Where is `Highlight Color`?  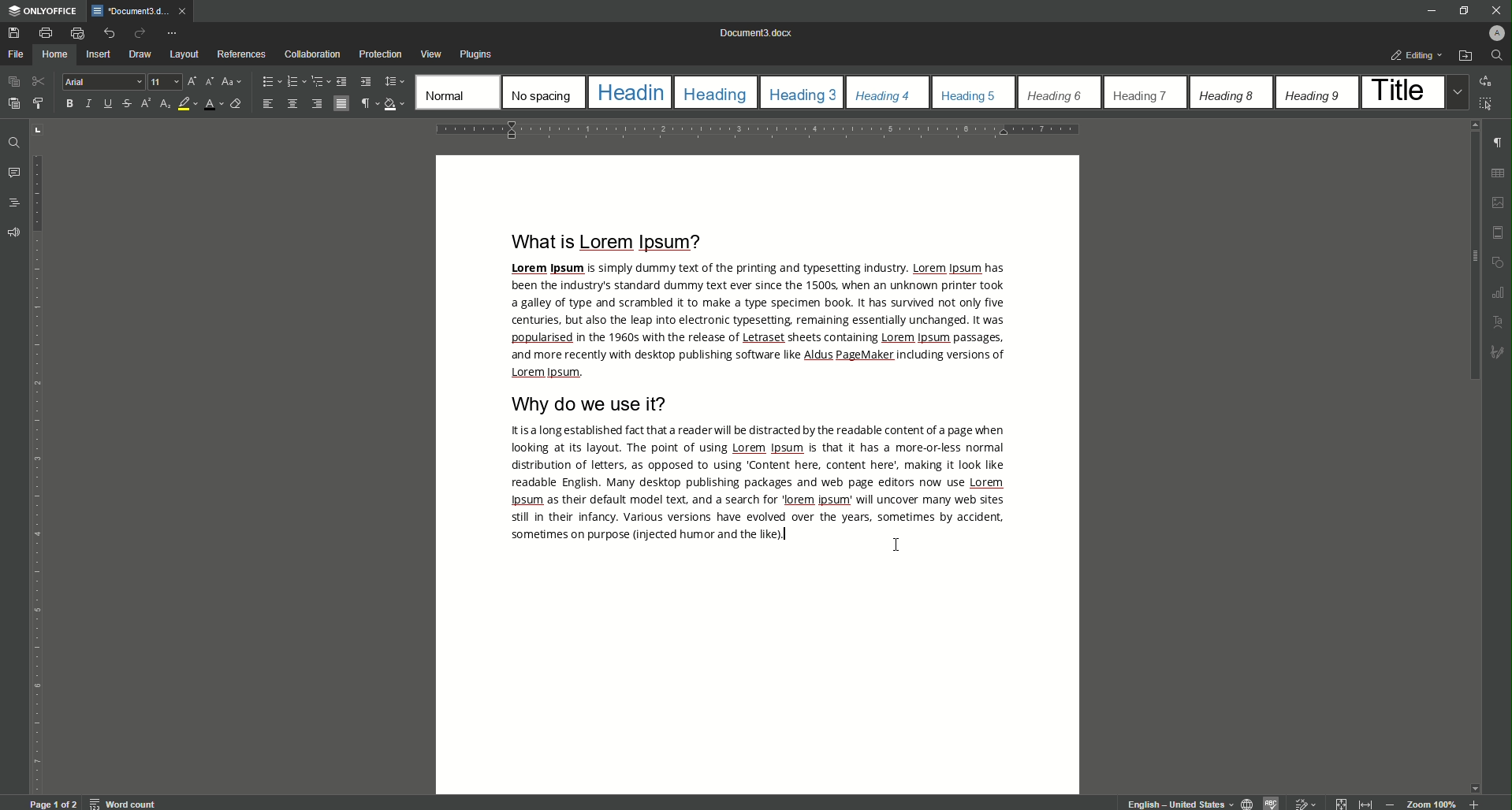
Highlight Color is located at coordinates (186, 104).